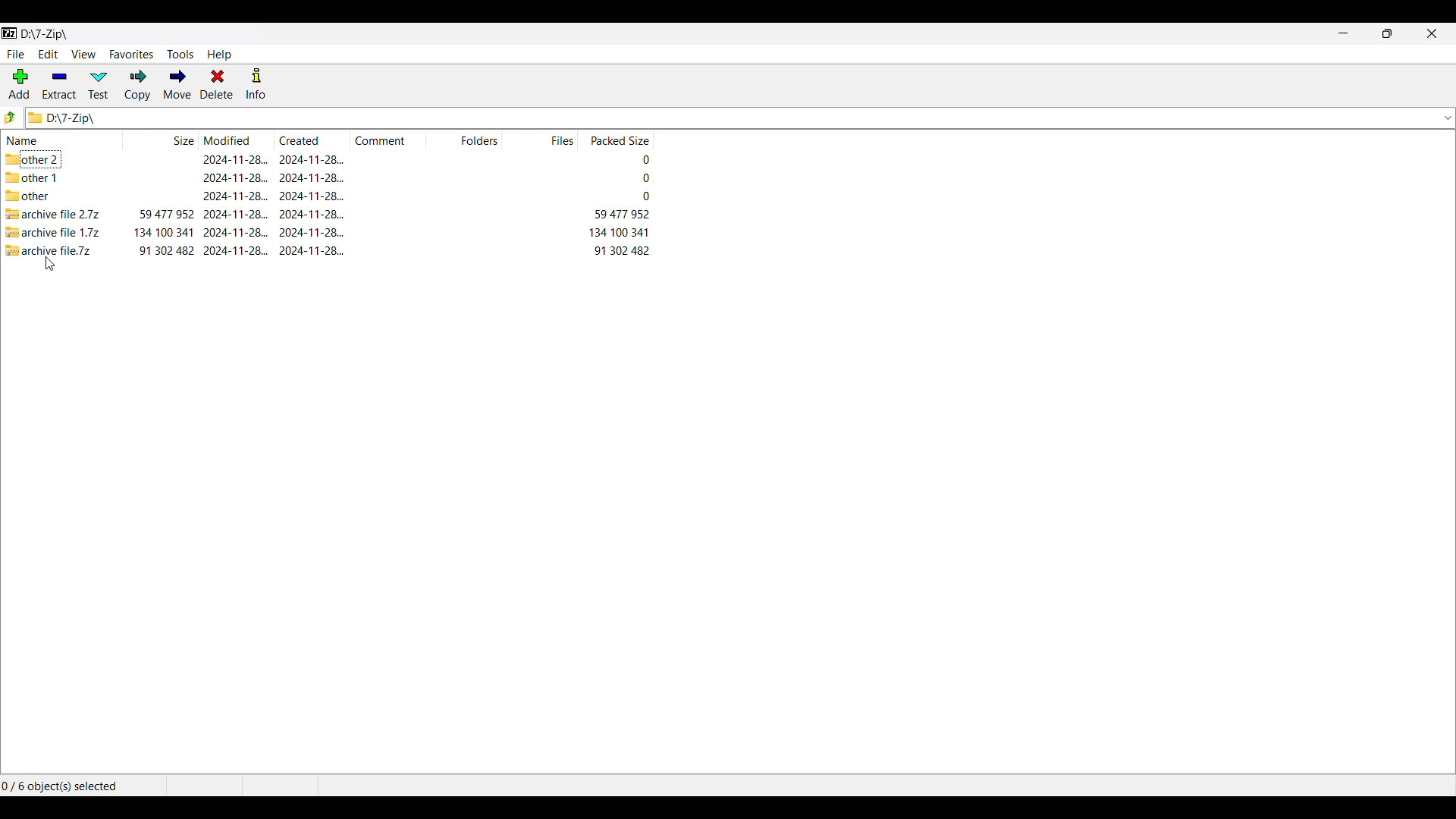 This screenshot has width=1456, height=819. What do you see at coordinates (312, 232) in the screenshot?
I see `created date & time` at bounding box center [312, 232].